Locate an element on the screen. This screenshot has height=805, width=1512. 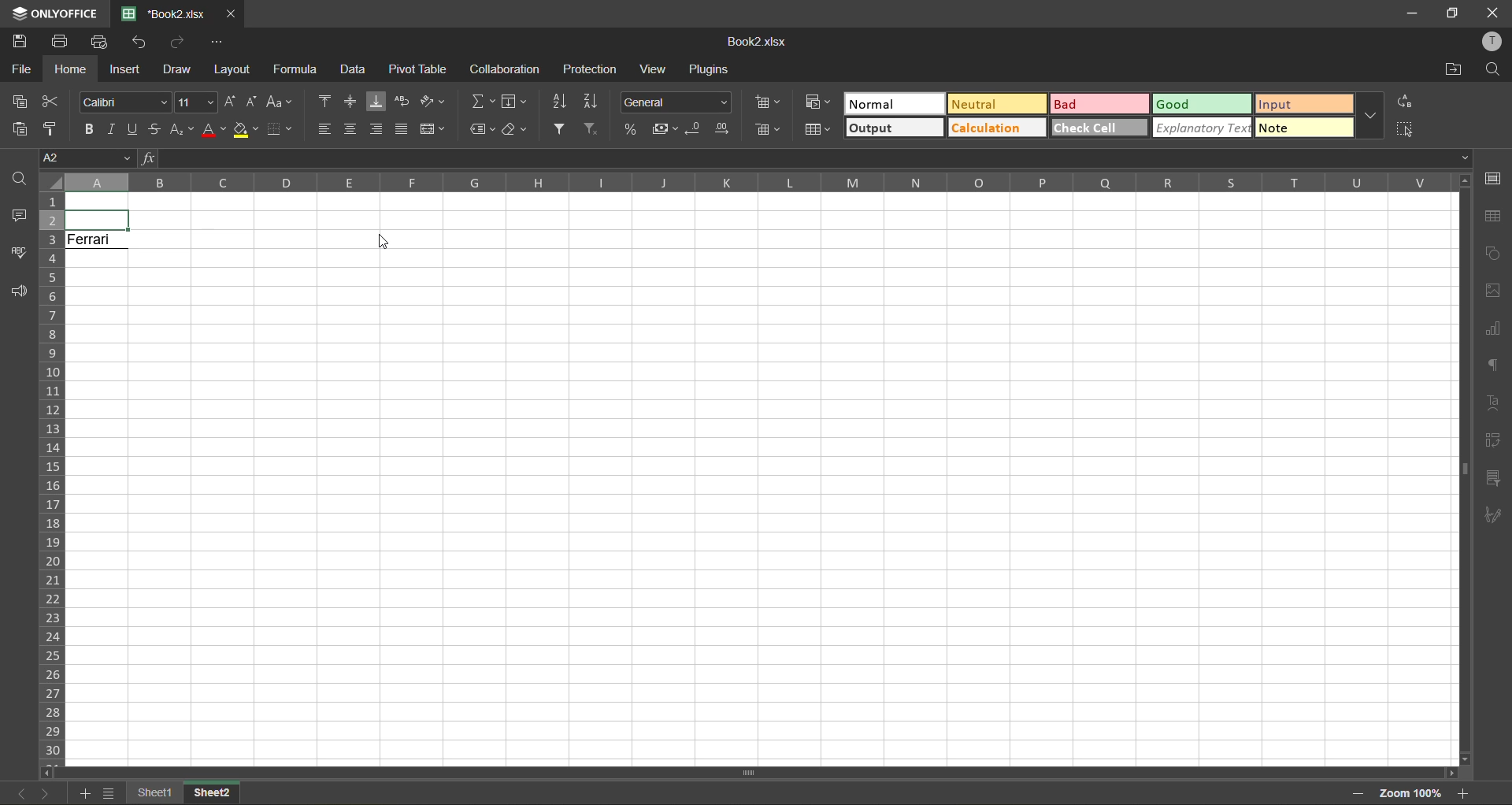
slicer is located at coordinates (1495, 476).